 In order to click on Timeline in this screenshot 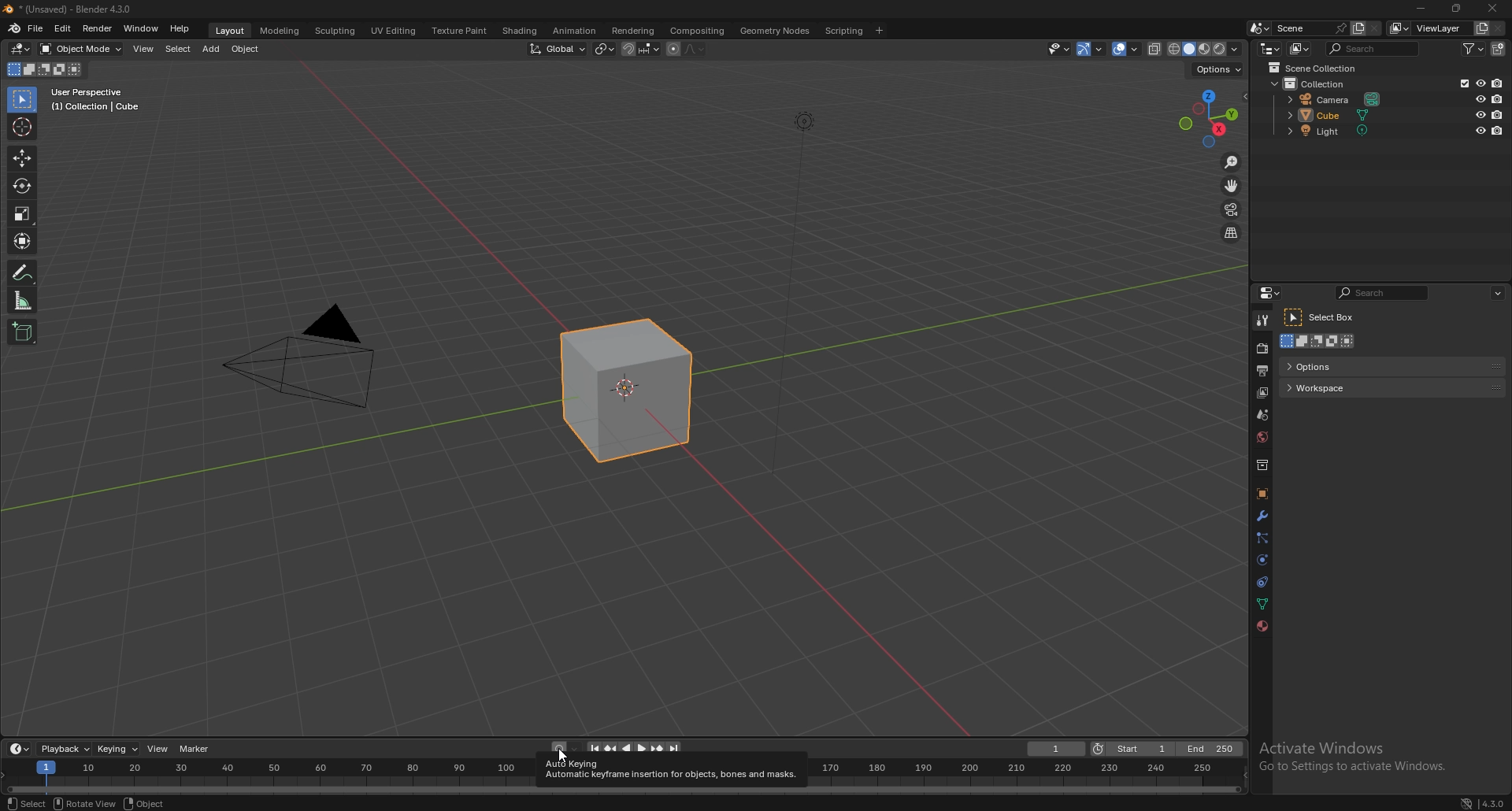, I will do `click(272, 777)`.